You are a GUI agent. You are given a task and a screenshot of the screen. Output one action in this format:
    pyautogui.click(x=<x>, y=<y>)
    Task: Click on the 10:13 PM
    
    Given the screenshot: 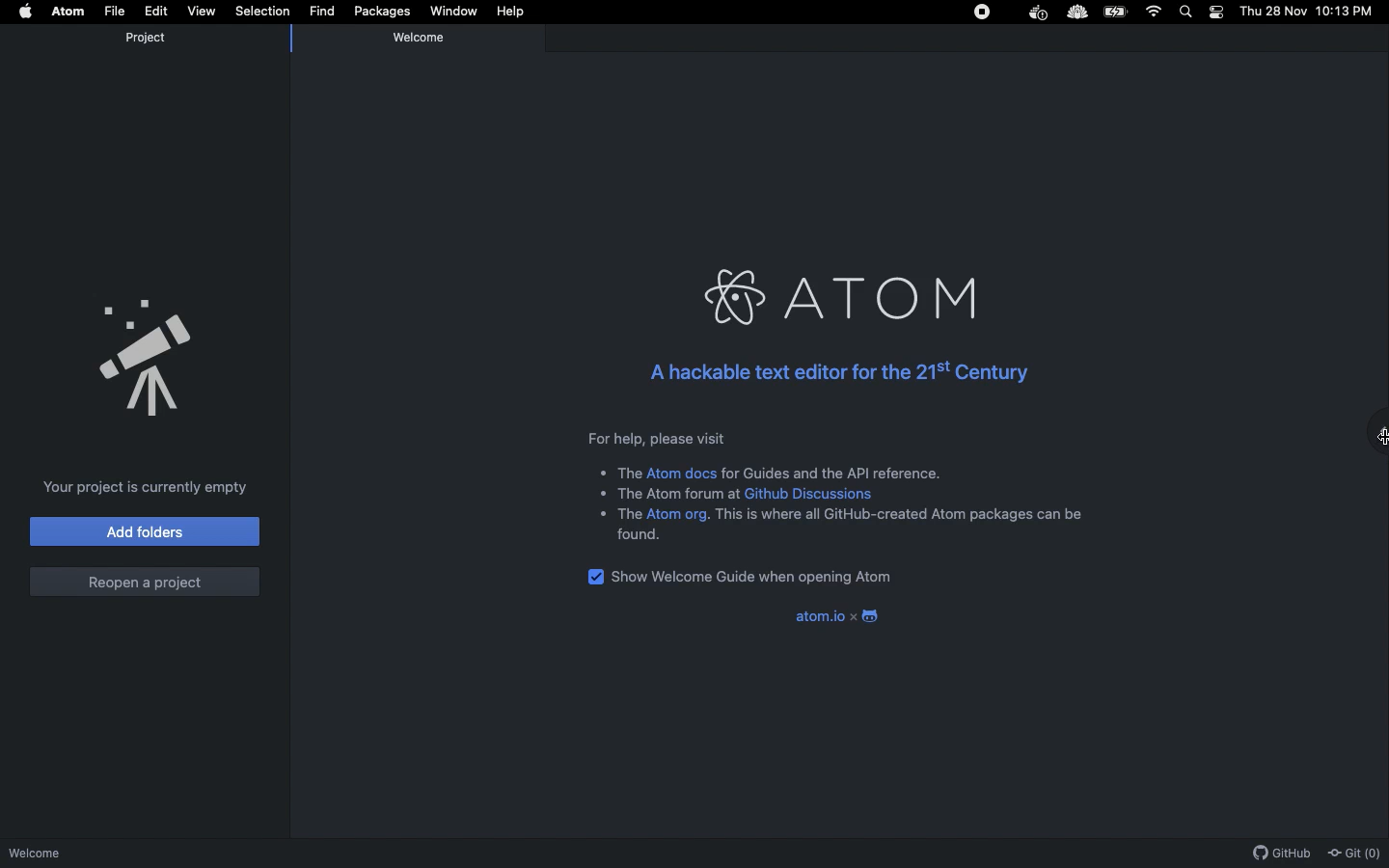 What is the action you would take?
    pyautogui.click(x=1345, y=11)
    